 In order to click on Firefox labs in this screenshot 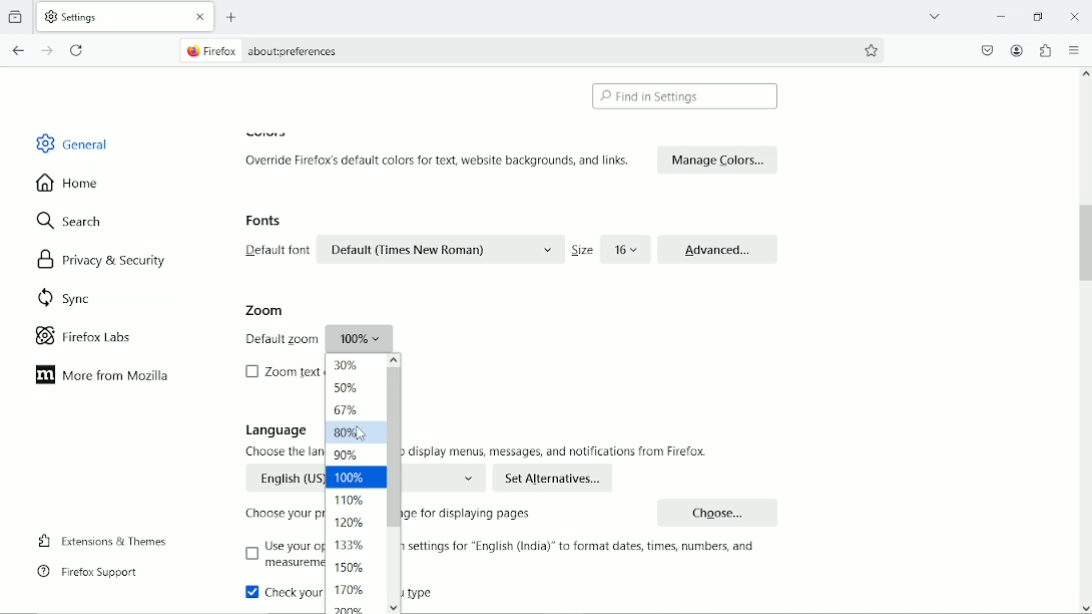, I will do `click(96, 337)`.